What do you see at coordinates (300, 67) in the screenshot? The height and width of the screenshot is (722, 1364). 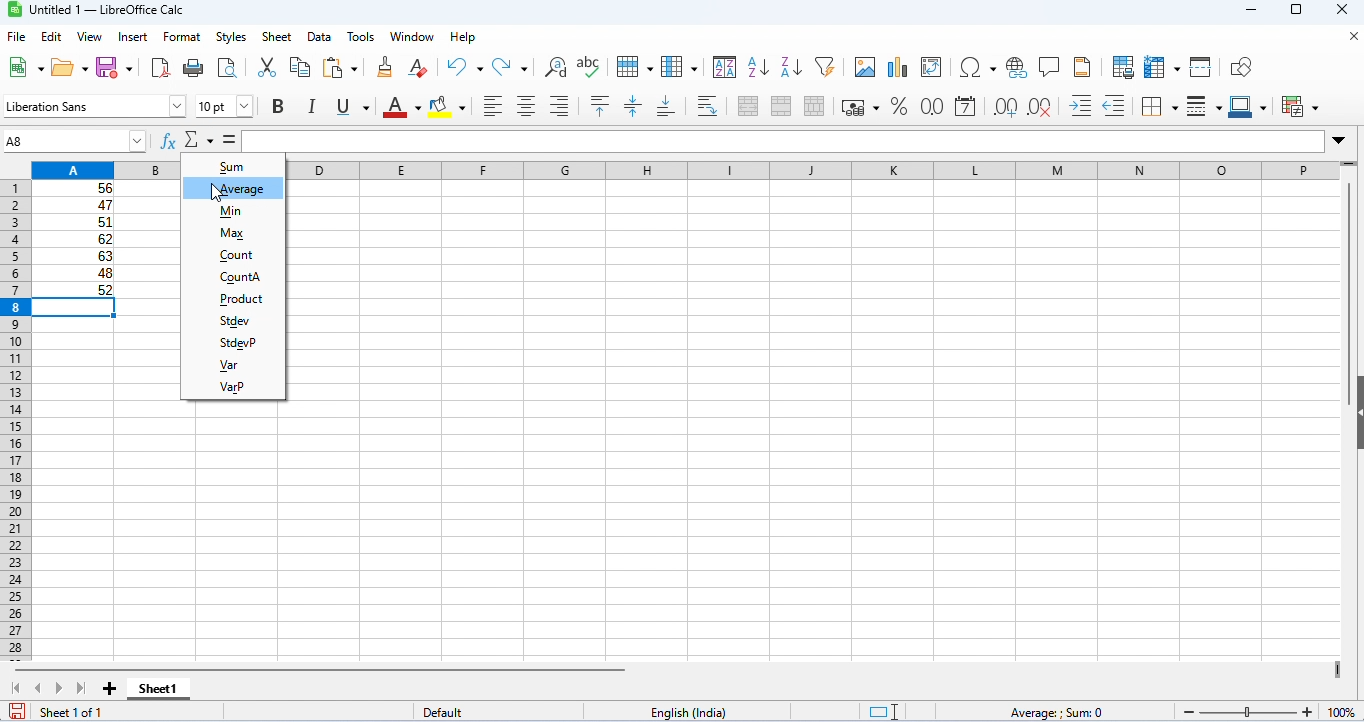 I see `copy` at bounding box center [300, 67].